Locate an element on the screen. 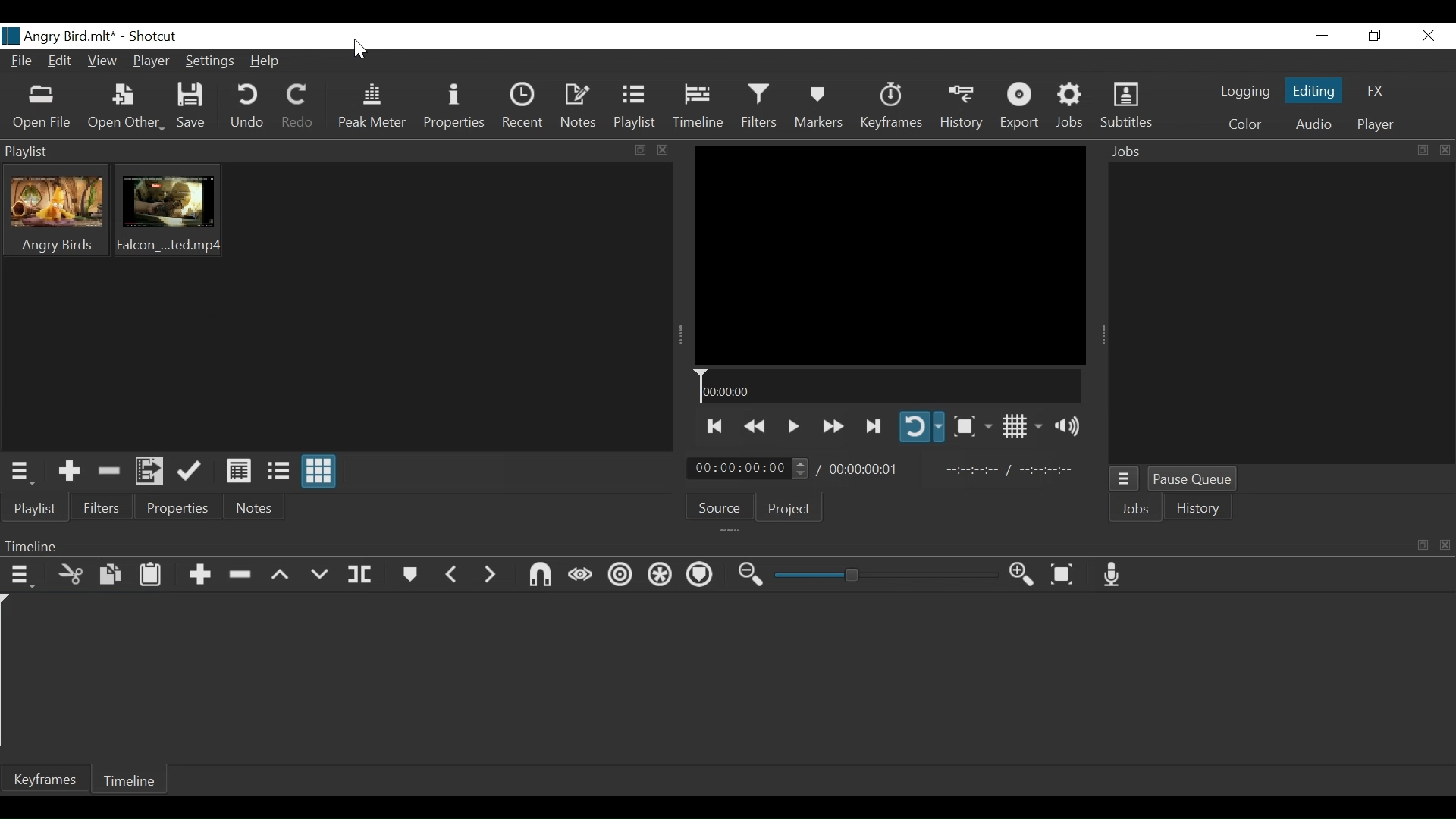  Skip to the previous point is located at coordinates (717, 426).